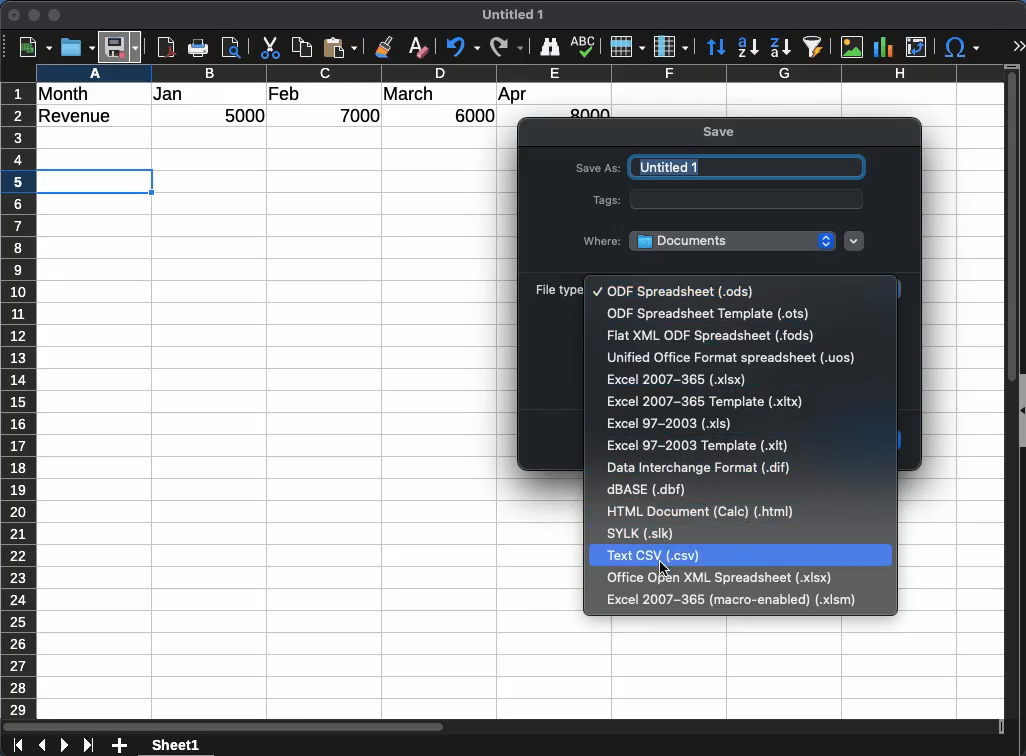 The height and width of the screenshot is (756, 1026). Describe the element at coordinates (558, 289) in the screenshot. I see `File type` at that location.